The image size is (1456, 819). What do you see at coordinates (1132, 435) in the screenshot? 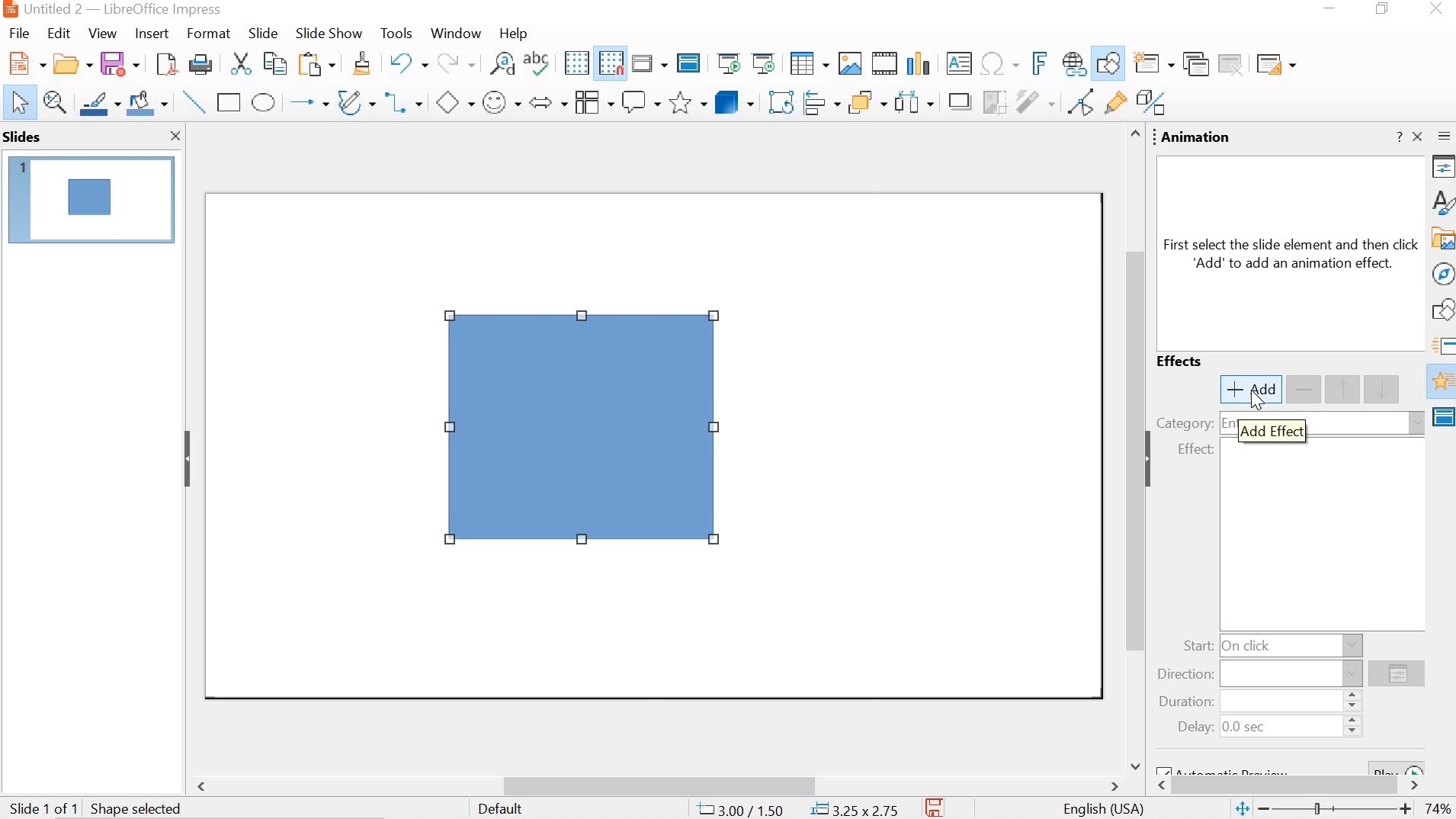
I see `scrollbar` at bounding box center [1132, 435].